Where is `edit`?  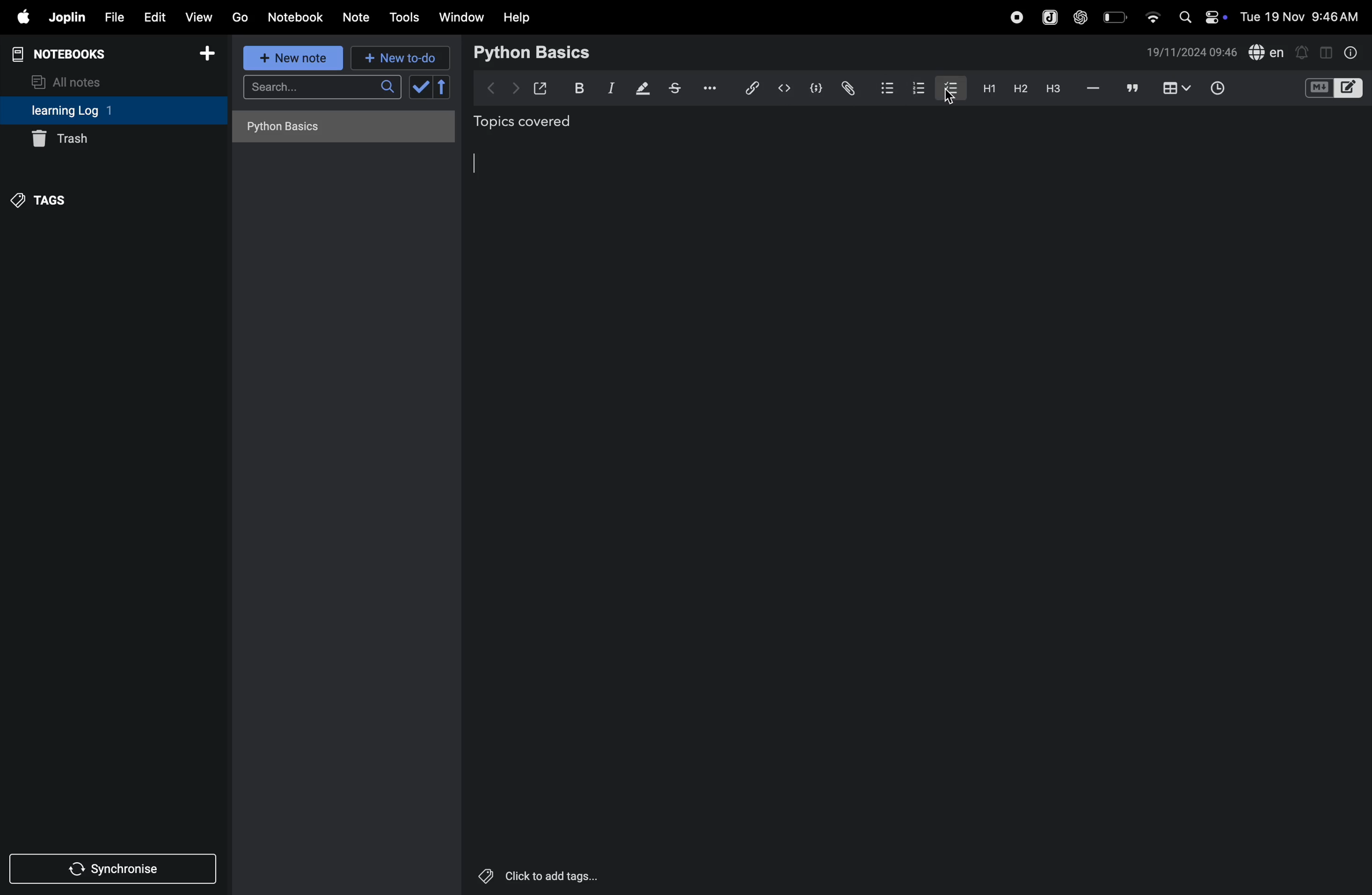 edit is located at coordinates (153, 17).